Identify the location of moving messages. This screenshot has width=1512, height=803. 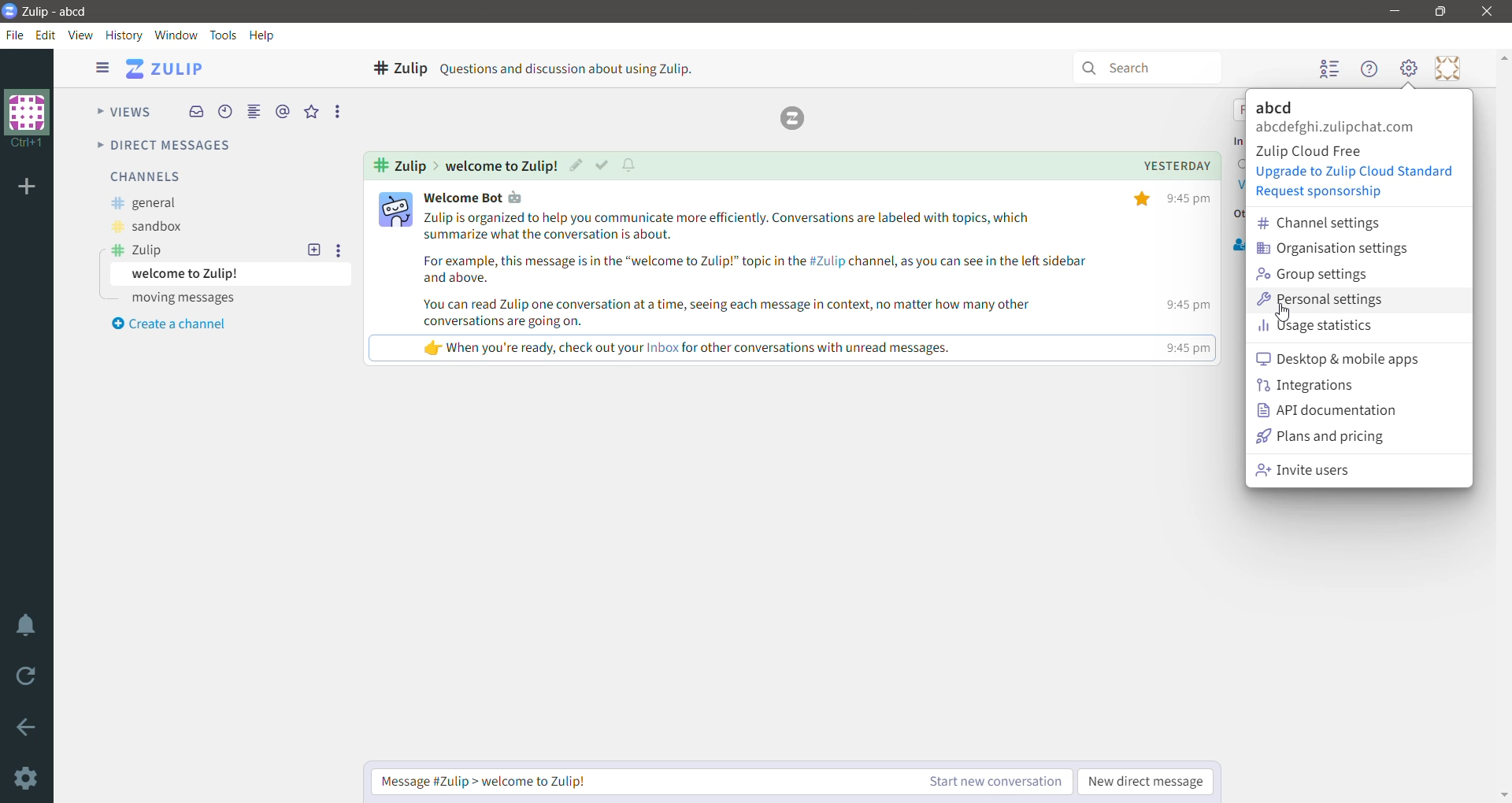
(187, 299).